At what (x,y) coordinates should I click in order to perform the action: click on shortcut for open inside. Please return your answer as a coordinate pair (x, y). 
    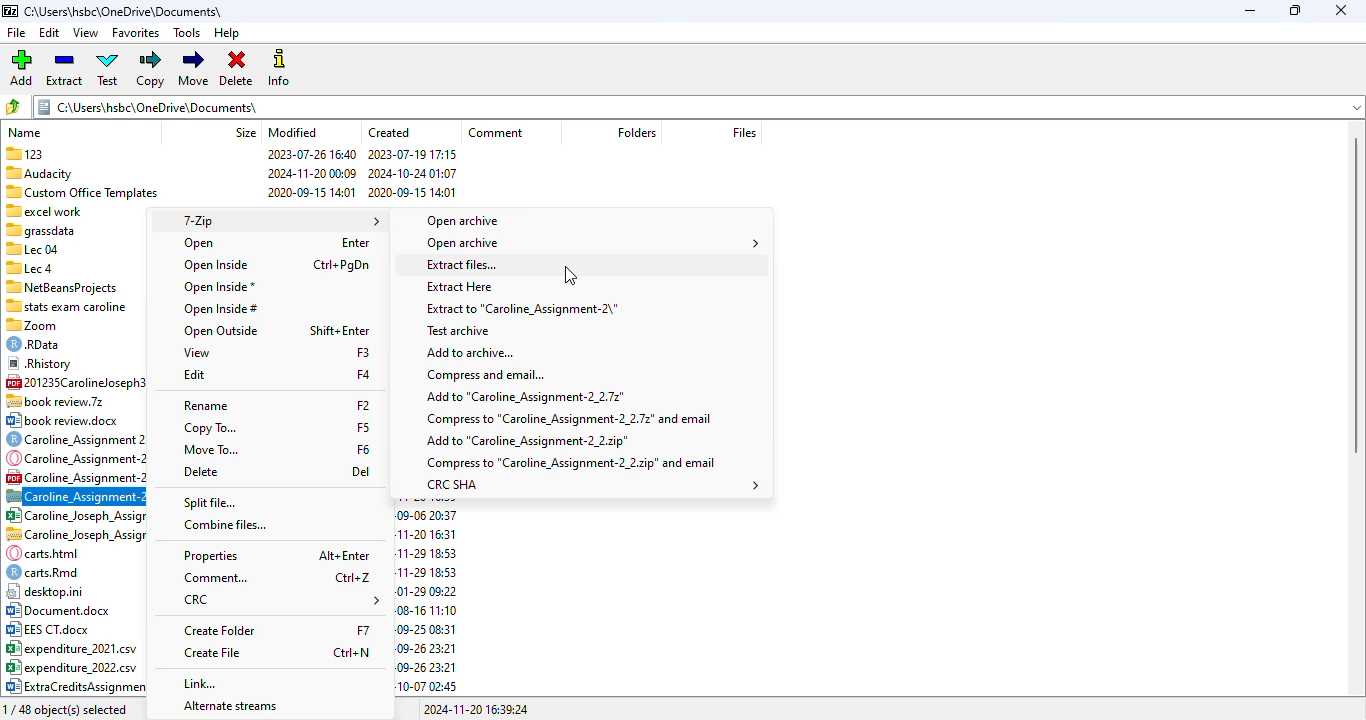
    Looking at the image, I should click on (341, 265).